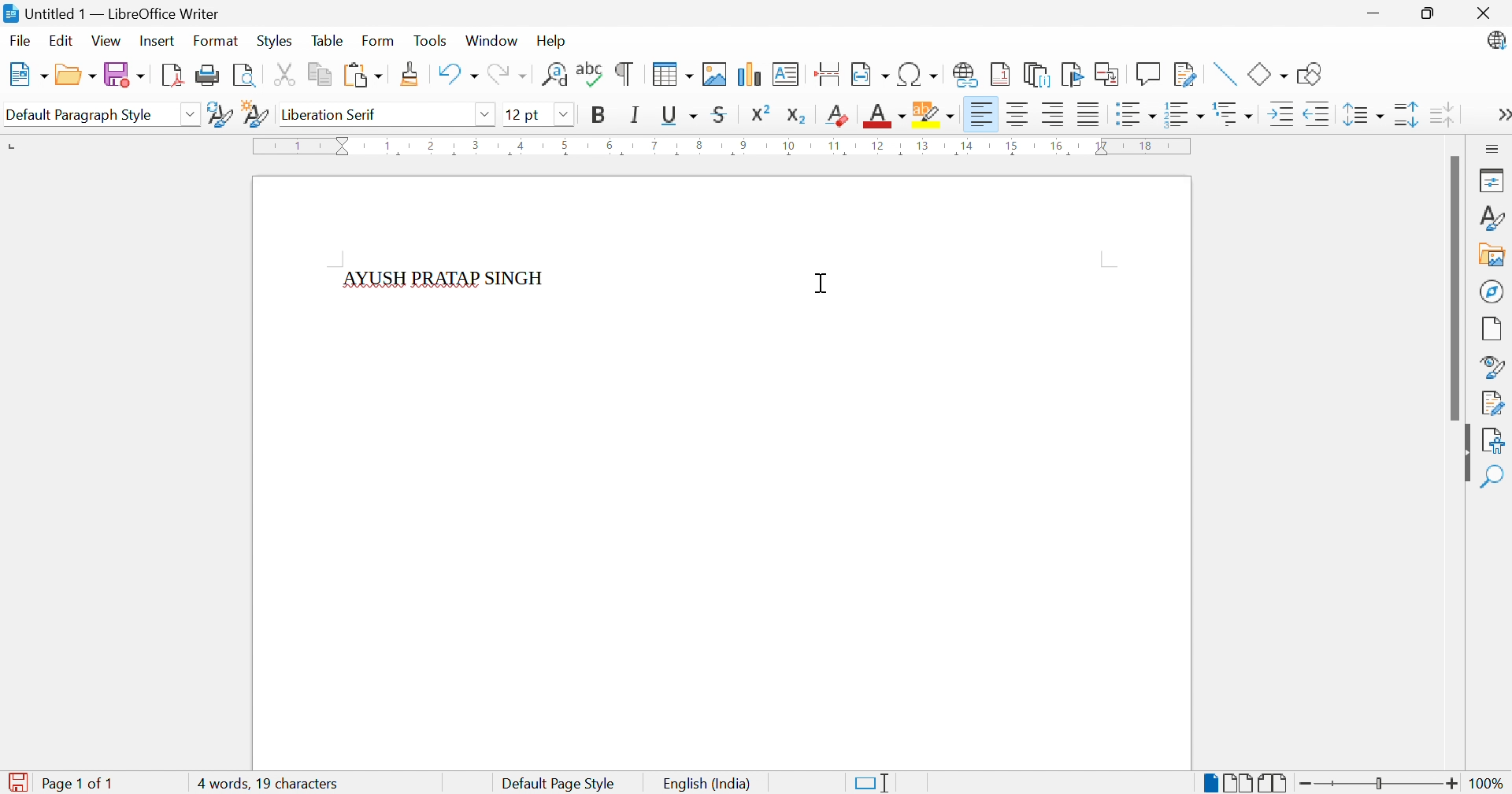 The image size is (1512, 794). I want to click on Basic Shapes, so click(1267, 72).